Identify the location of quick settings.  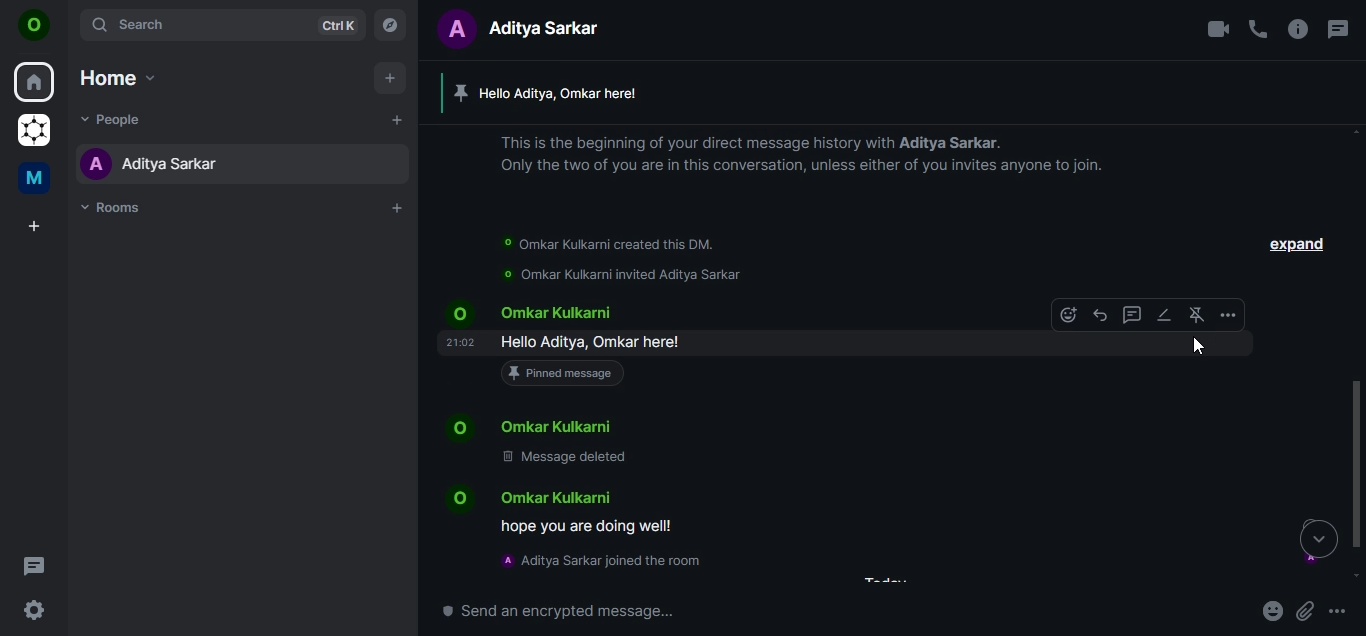
(34, 609).